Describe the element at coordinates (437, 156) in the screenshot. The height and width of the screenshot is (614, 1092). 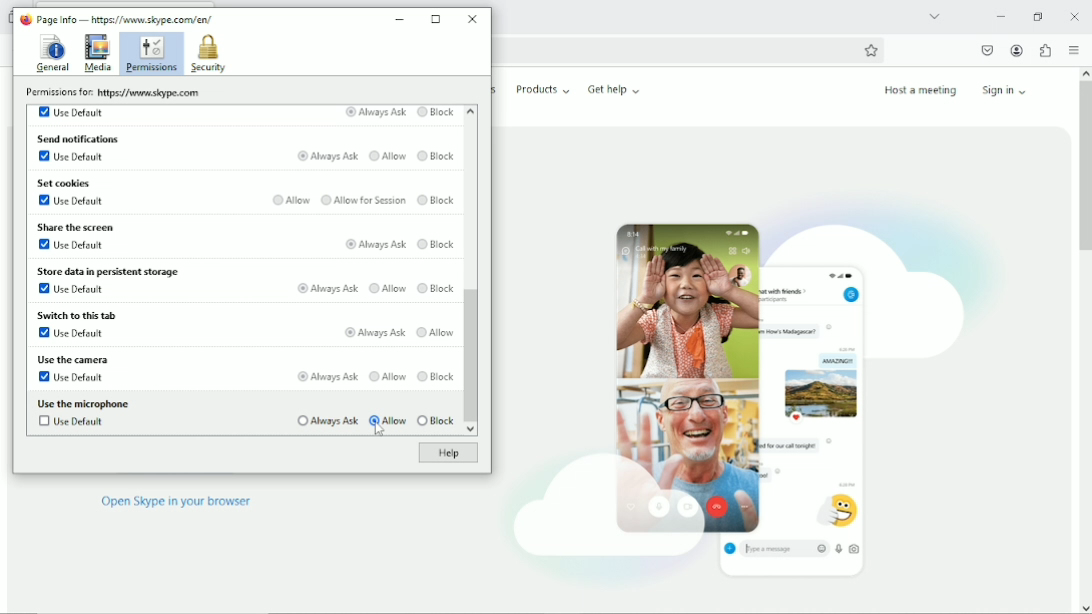
I see `Block` at that location.